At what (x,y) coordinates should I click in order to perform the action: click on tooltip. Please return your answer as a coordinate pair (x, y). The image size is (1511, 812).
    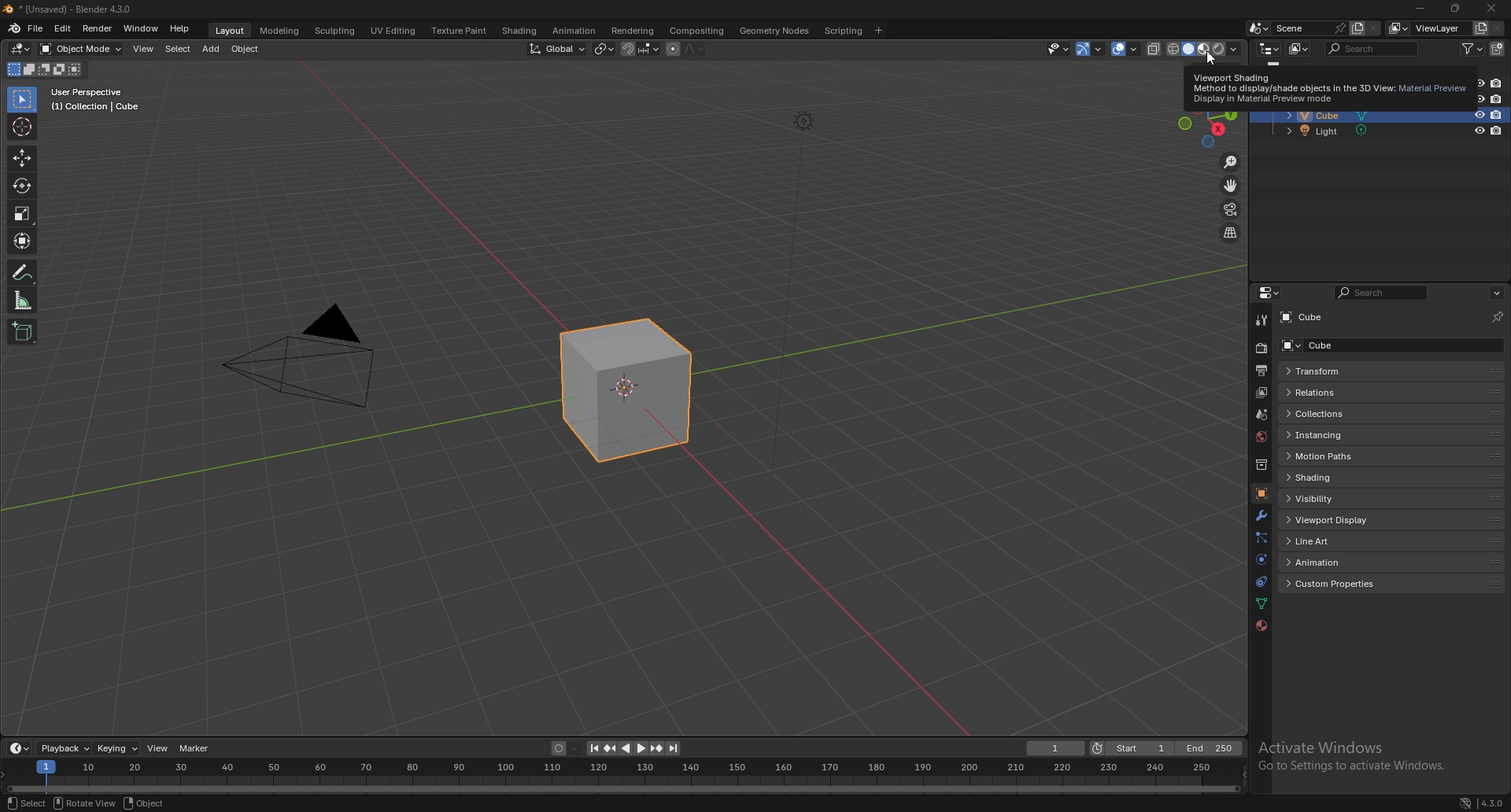
    Looking at the image, I should click on (1330, 91).